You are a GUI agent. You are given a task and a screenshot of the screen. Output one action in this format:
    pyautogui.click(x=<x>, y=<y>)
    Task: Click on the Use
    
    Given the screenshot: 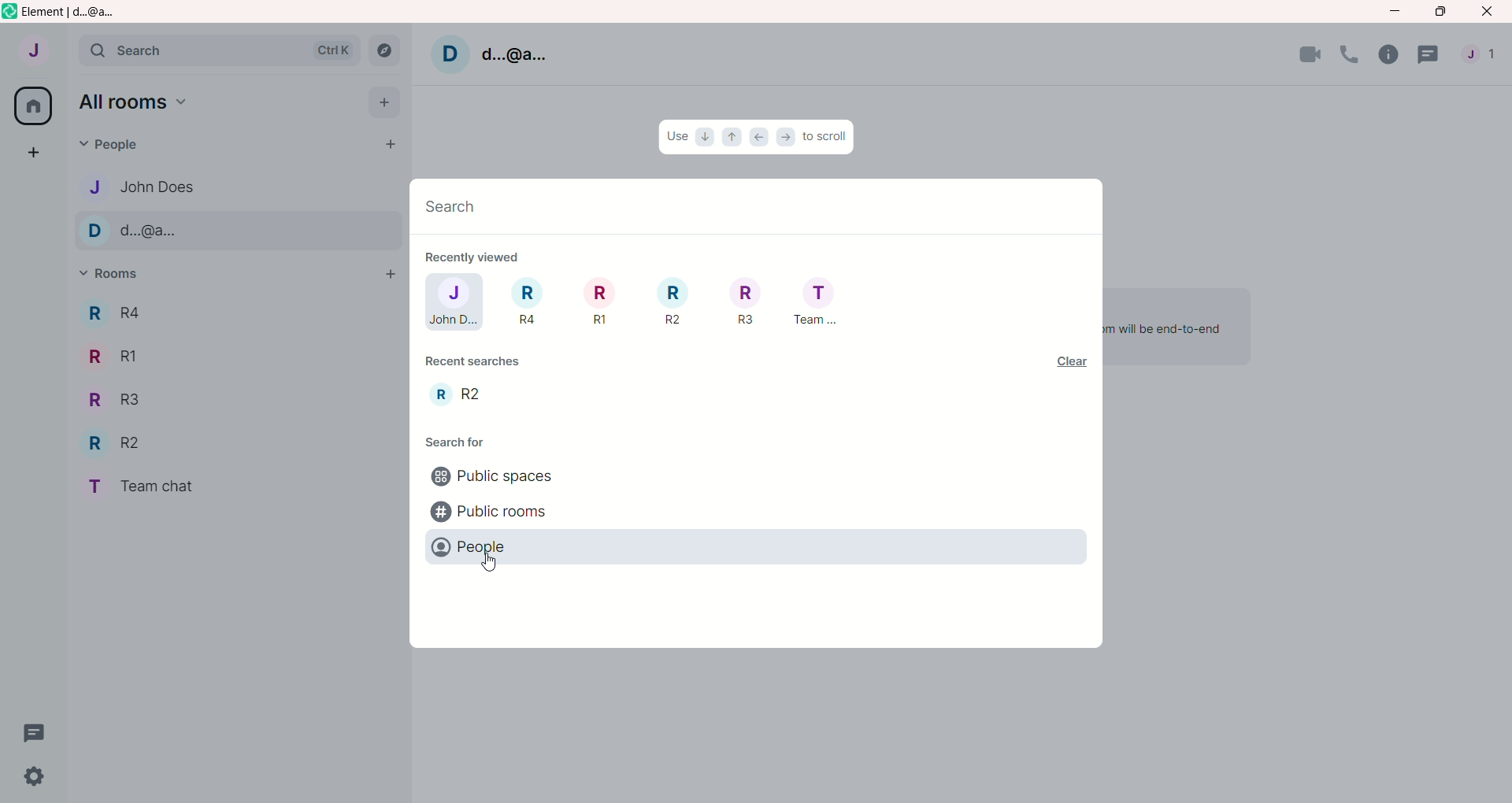 What is the action you would take?
    pyautogui.click(x=677, y=139)
    